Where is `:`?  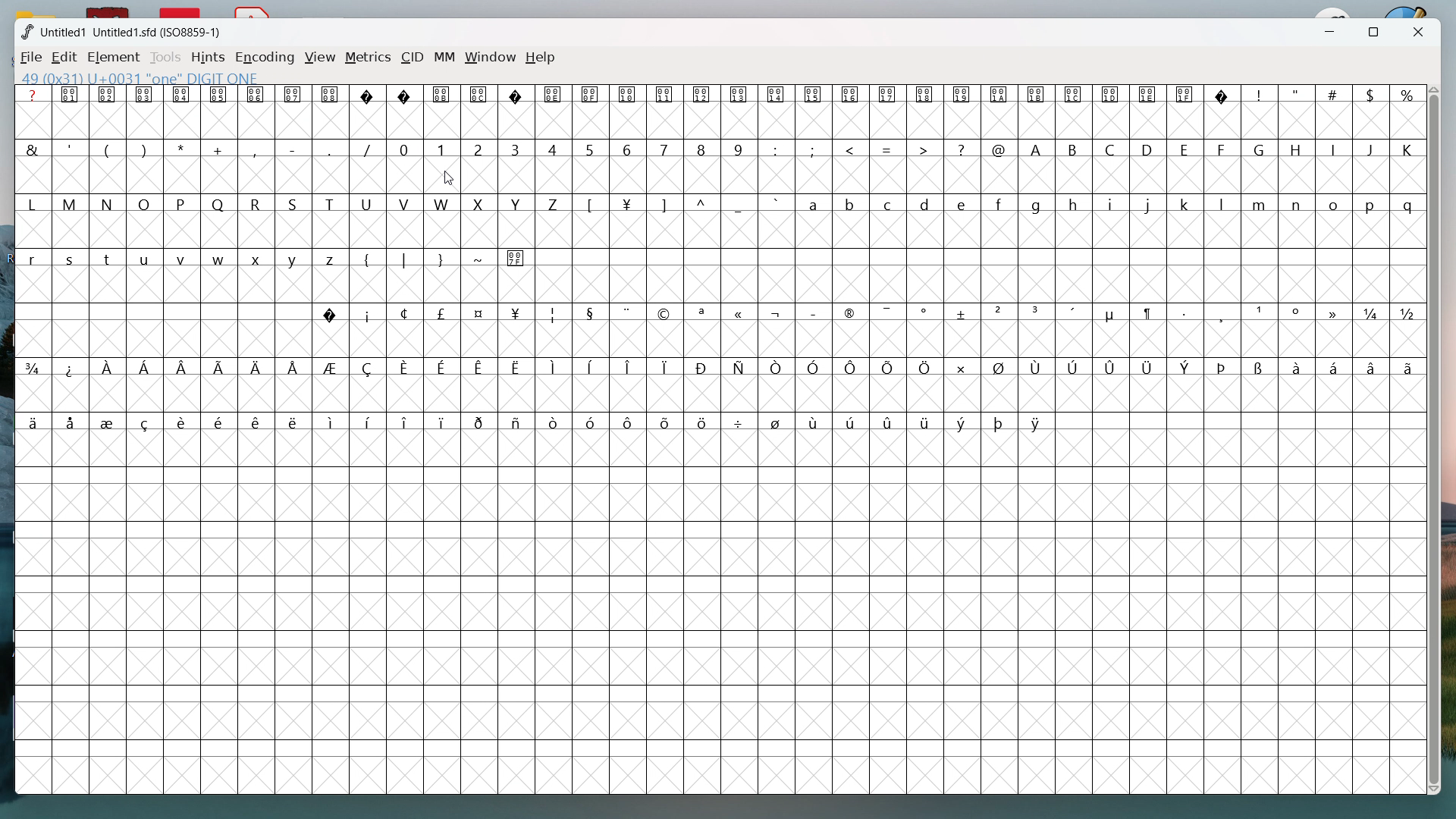 : is located at coordinates (777, 149).